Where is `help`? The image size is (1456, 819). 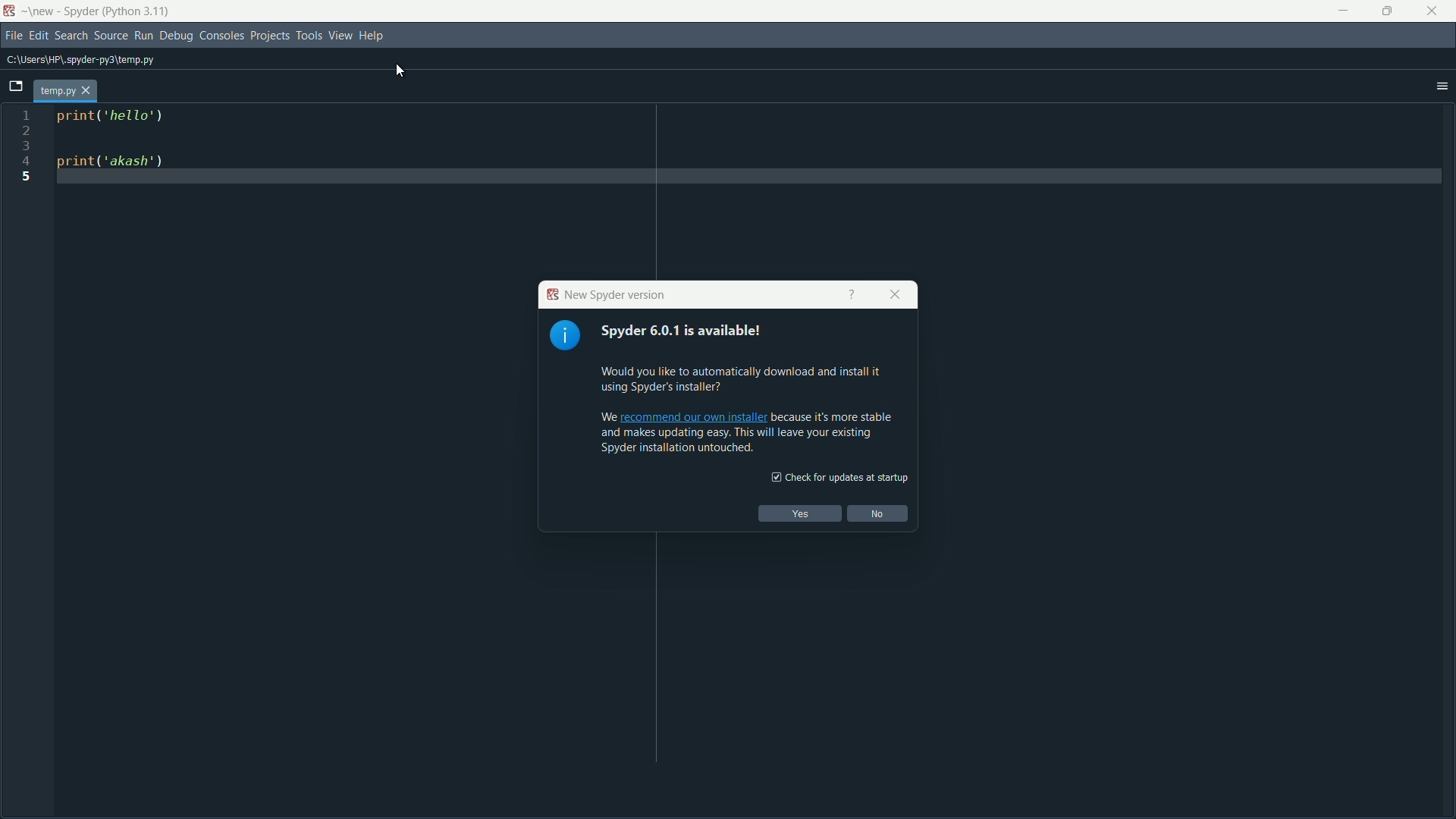 help is located at coordinates (850, 295).